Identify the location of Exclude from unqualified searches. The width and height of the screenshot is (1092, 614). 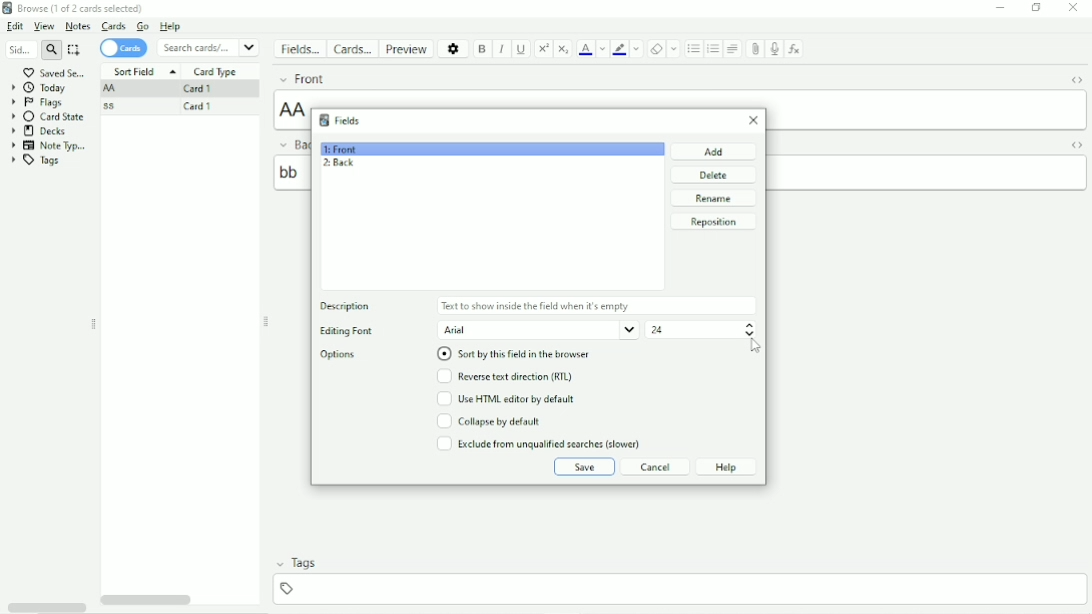
(539, 444).